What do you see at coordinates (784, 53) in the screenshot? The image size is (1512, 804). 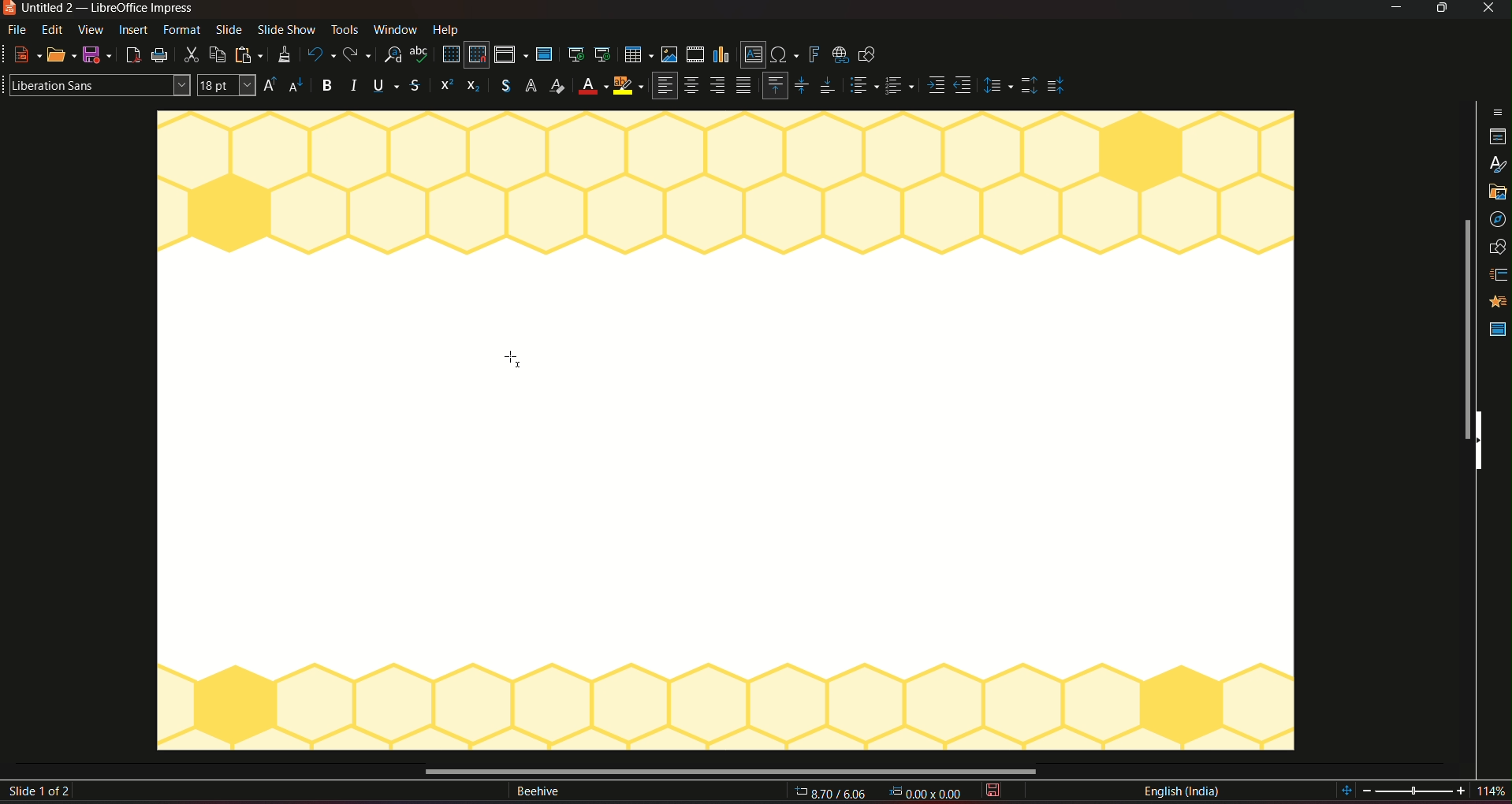 I see `insert special character` at bounding box center [784, 53].